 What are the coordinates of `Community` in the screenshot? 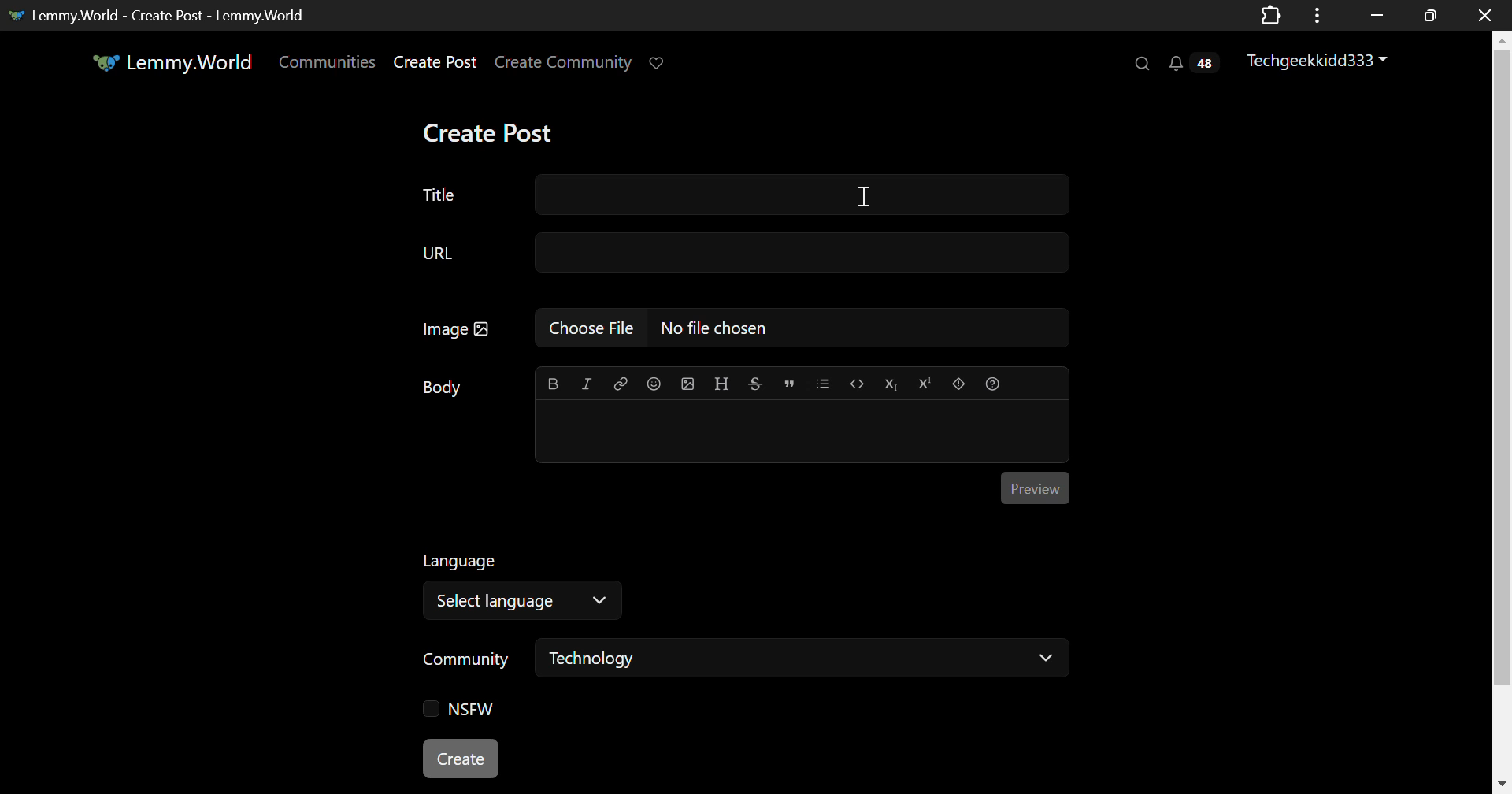 It's located at (466, 659).